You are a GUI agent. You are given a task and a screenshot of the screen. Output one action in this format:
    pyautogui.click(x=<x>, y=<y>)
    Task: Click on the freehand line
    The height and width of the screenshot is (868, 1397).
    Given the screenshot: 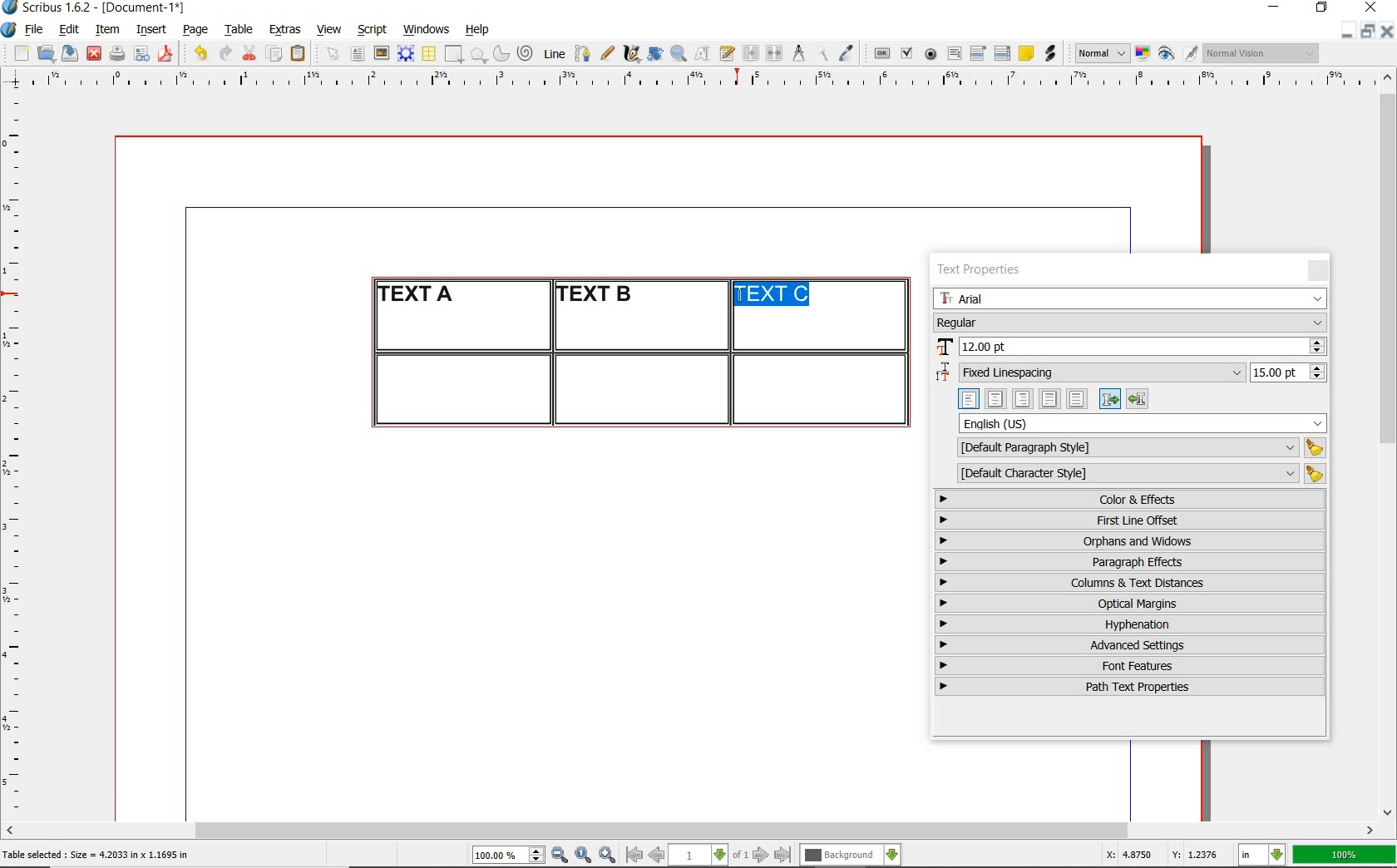 What is the action you would take?
    pyautogui.click(x=607, y=53)
    